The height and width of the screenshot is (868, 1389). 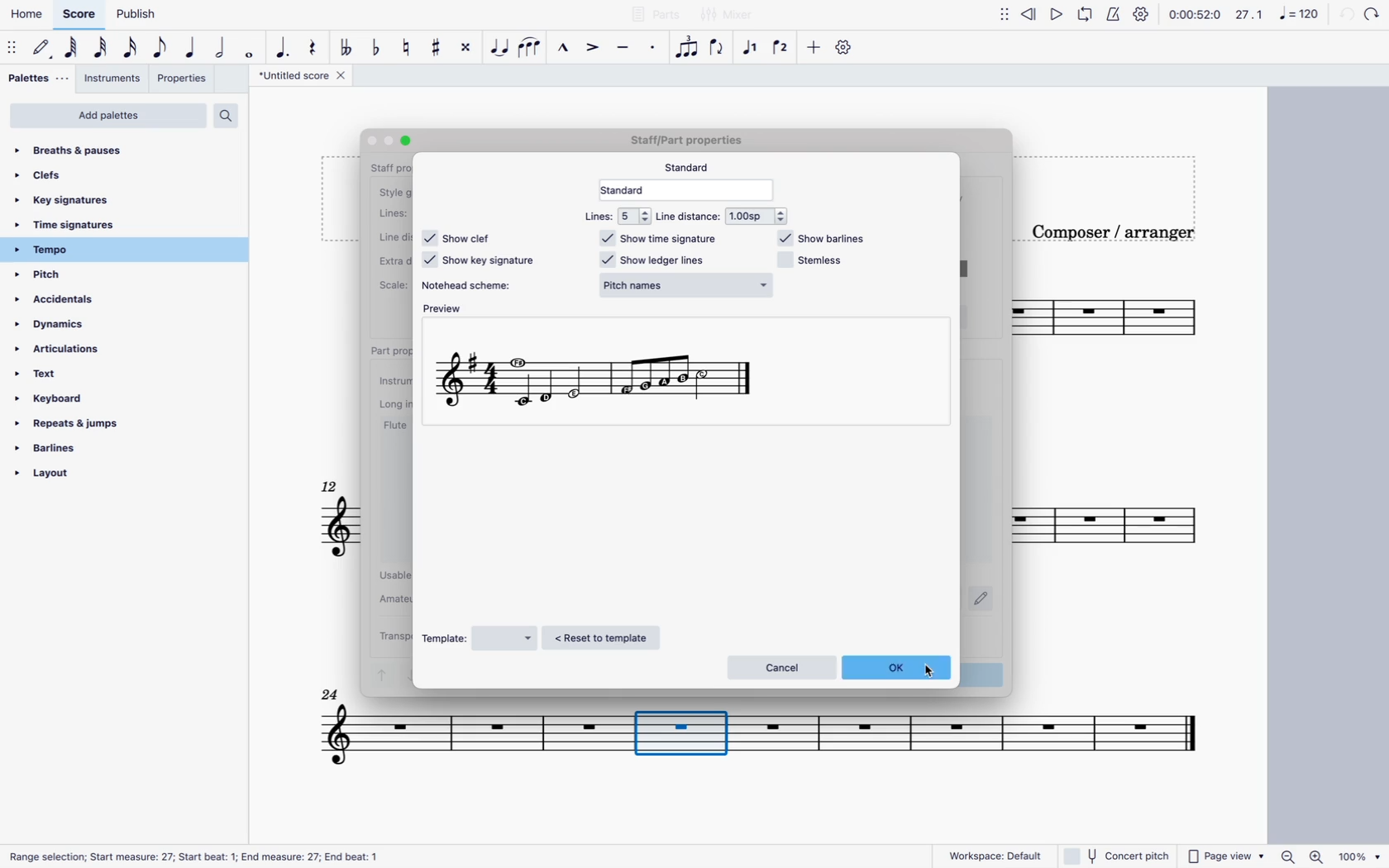 I want to click on , so click(x=371, y=143).